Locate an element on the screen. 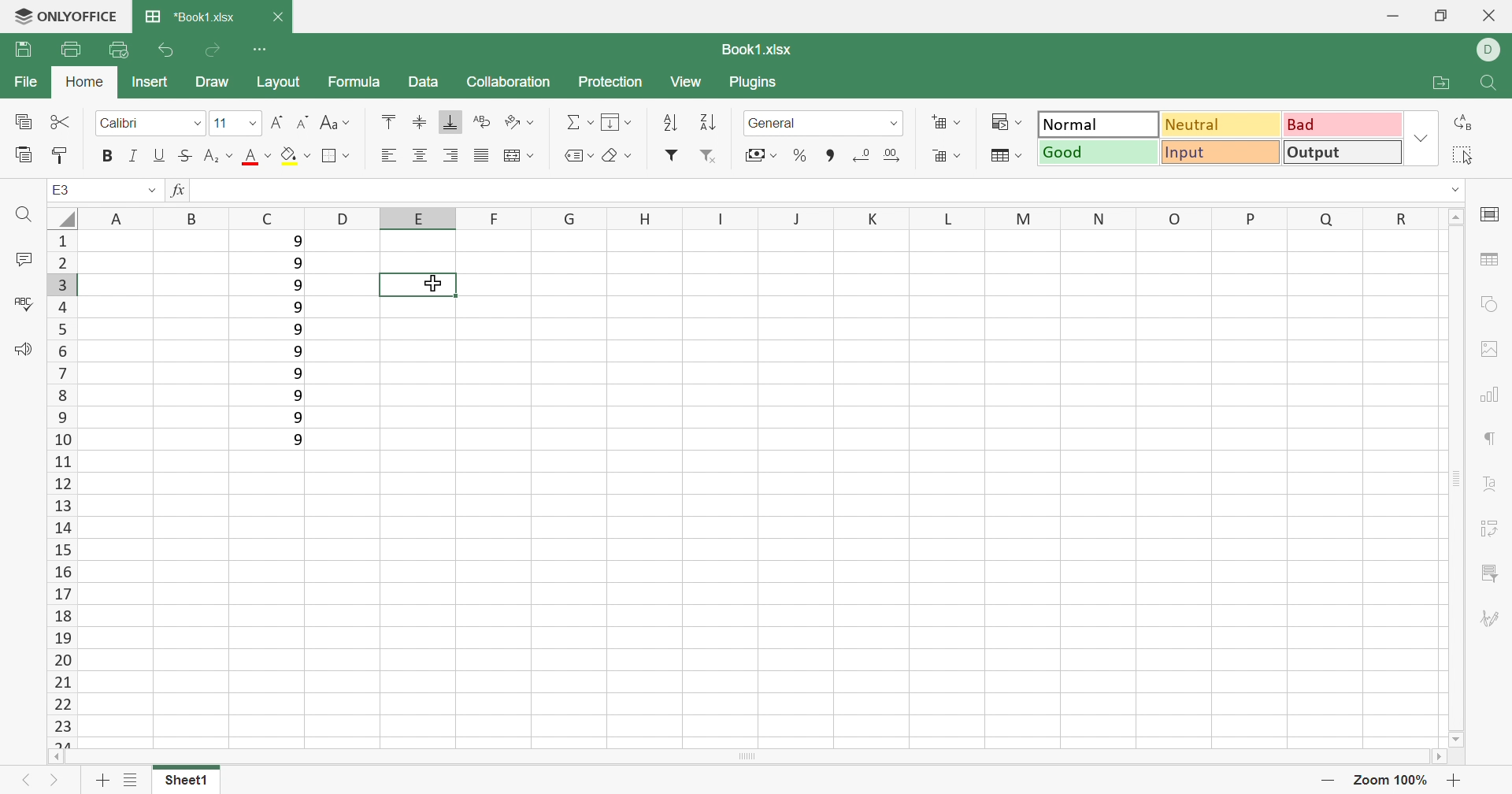  Align Top is located at coordinates (388, 121).